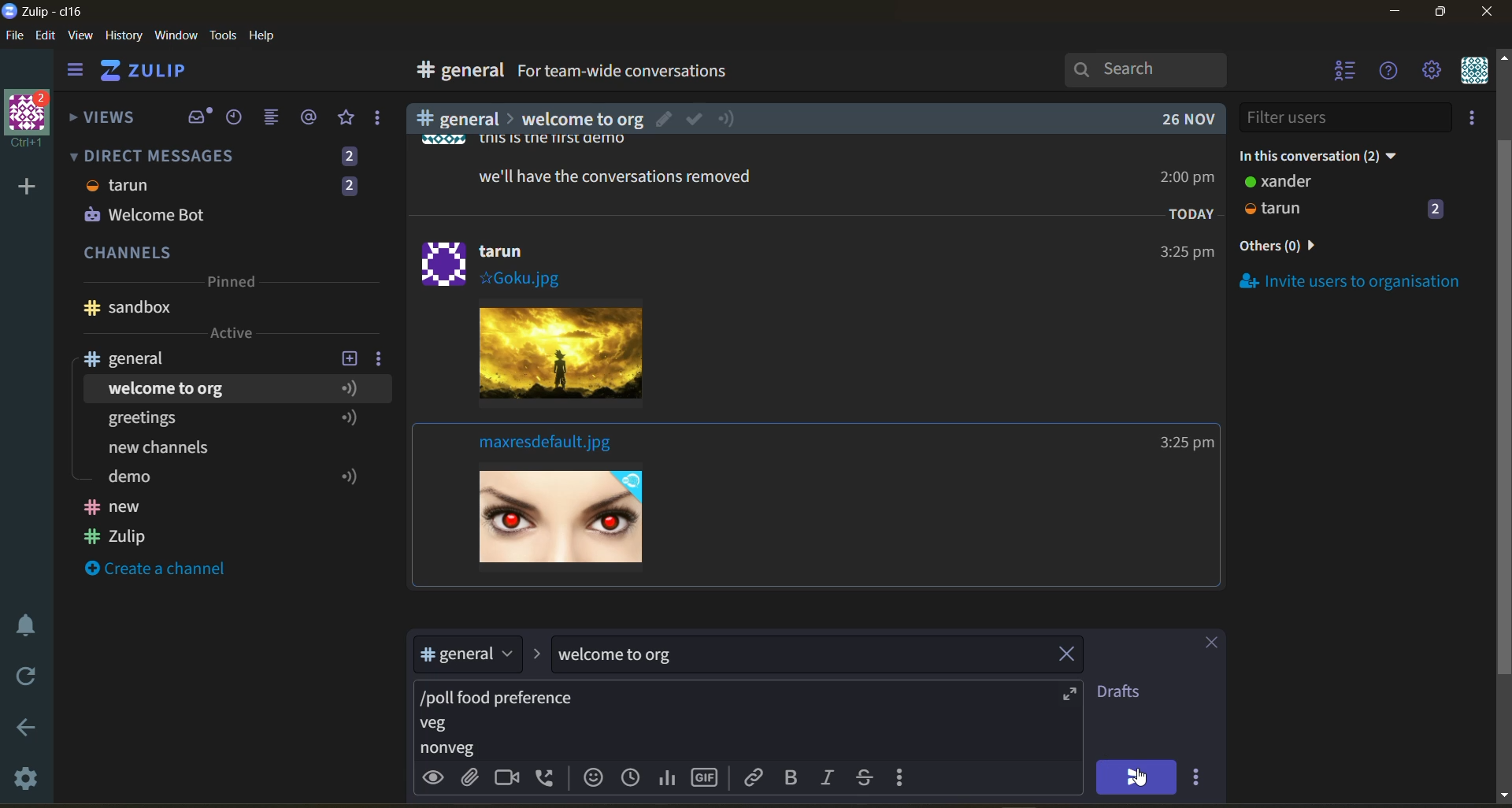 The image size is (1512, 808). I want to click on , so click(608, 176).